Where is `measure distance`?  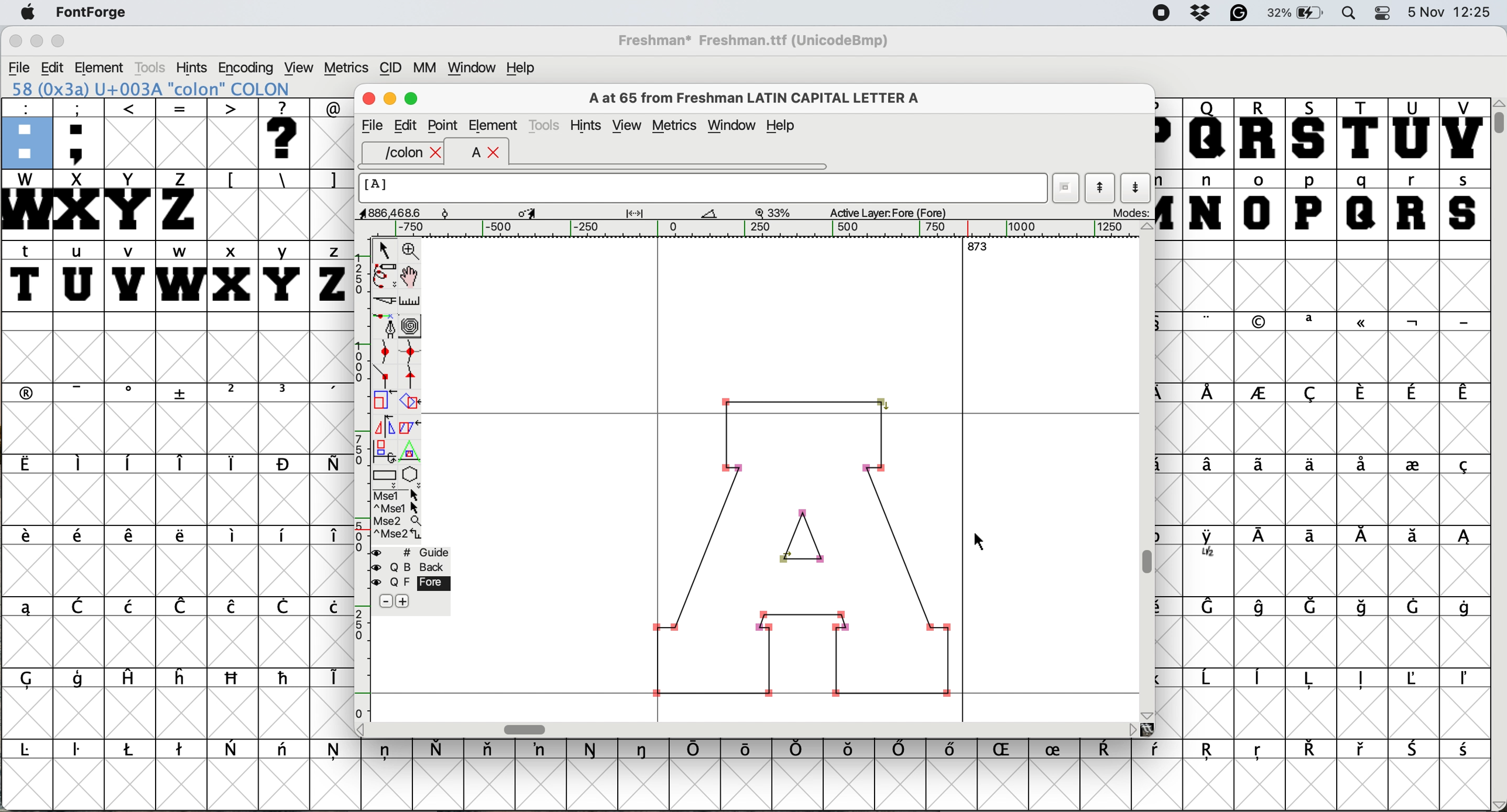 measure distance is located at coordinates (410, 299).